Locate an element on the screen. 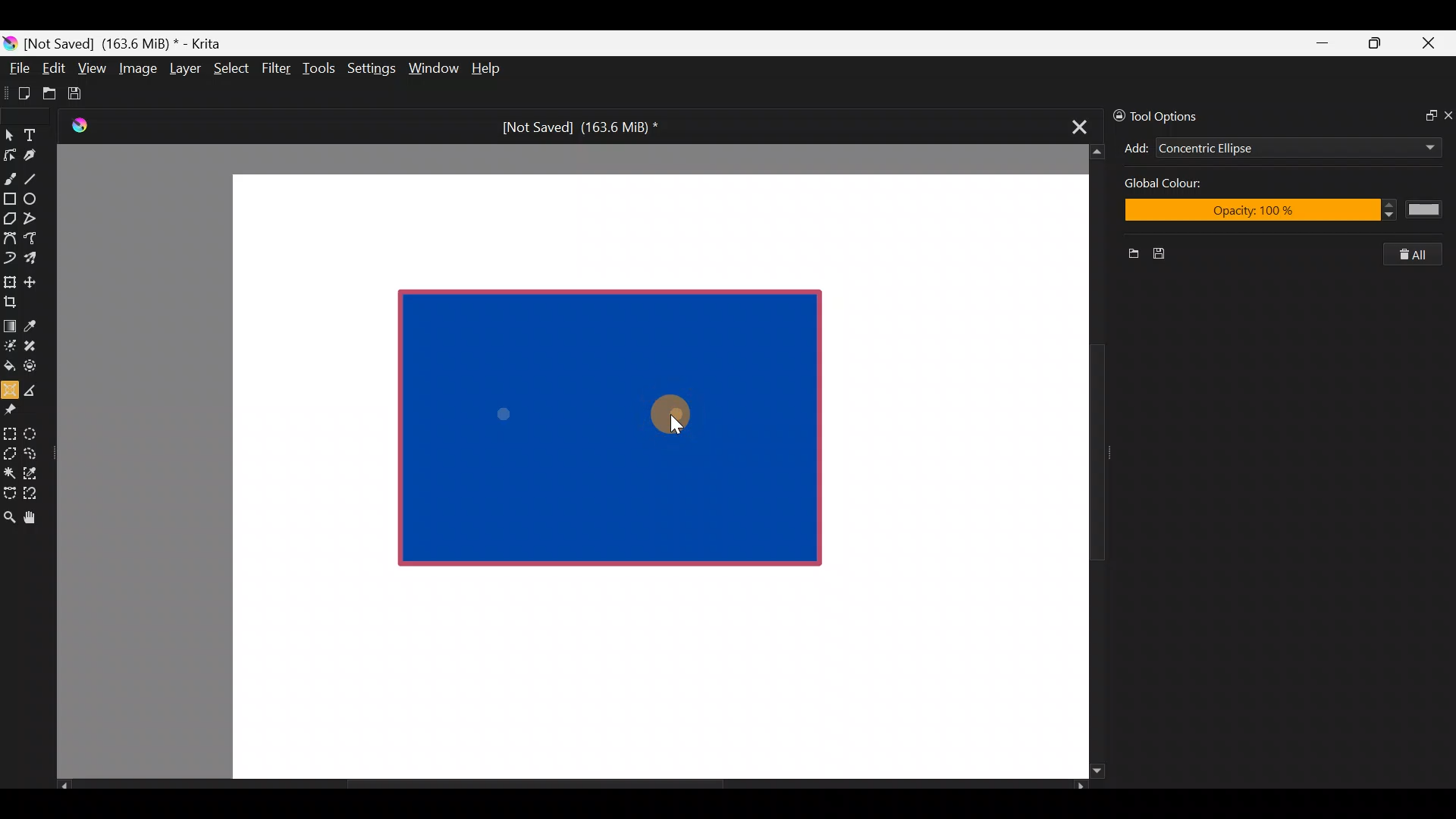  Rectangular selection tool is located at coordinates (13, 431).